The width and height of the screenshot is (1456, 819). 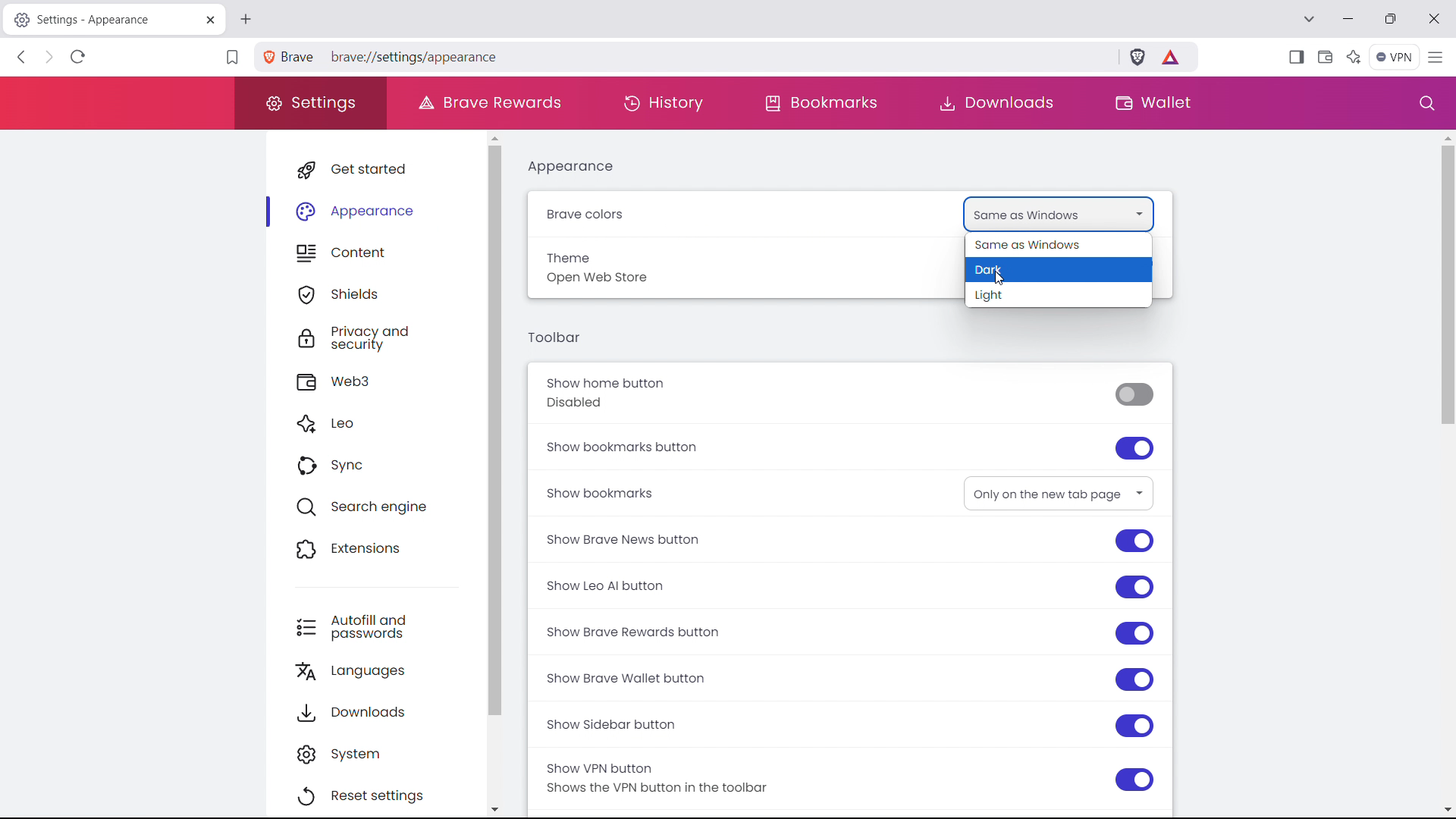 What do you see at coordinates (502, 137) in the screenshot?
I see `scroll up` at bounding box center [502, 137].